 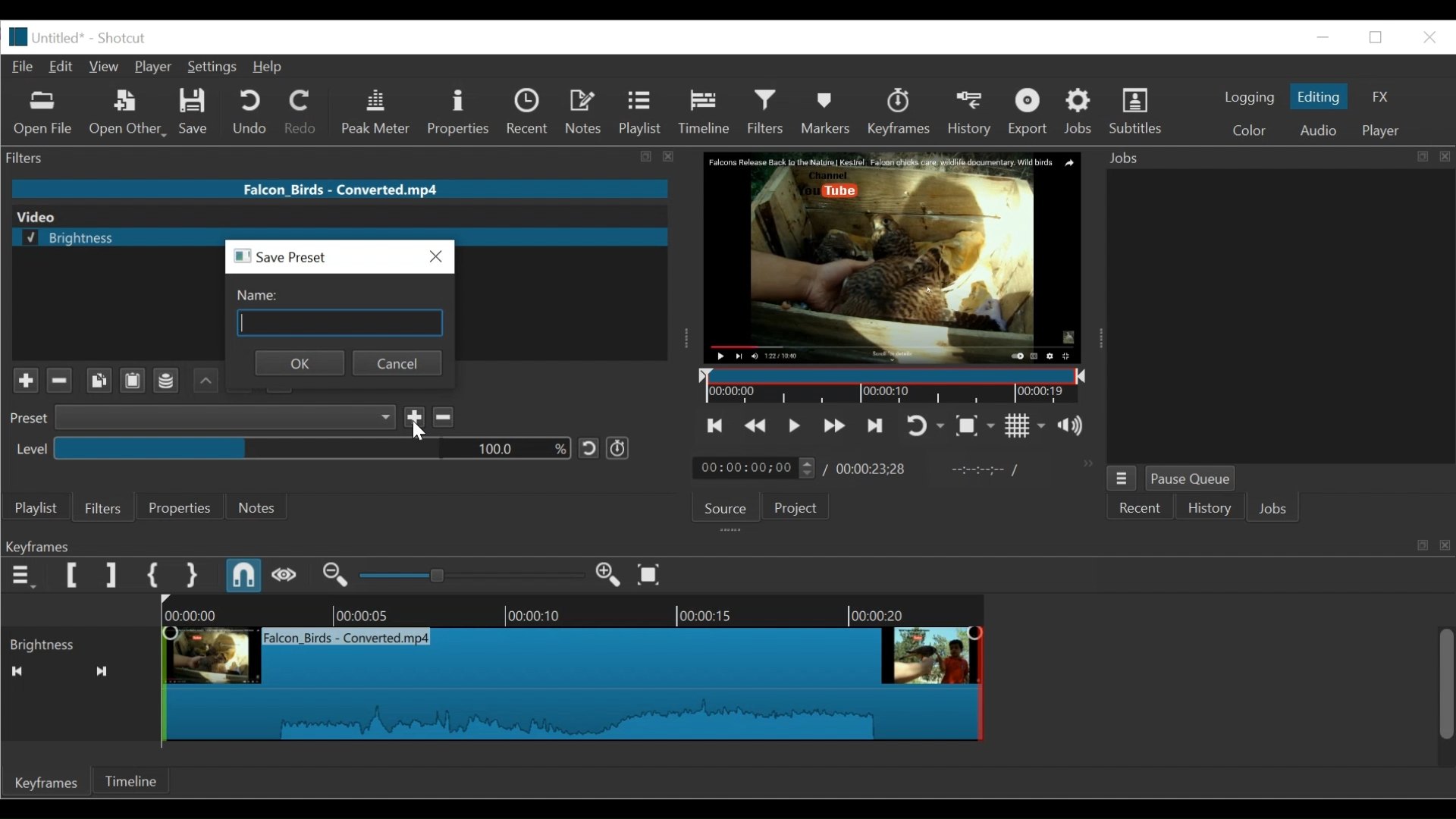 What do you see at coordinates (376, 113) in the screenshot?
I see `Peak Meter` at bounding box center [376, 113].